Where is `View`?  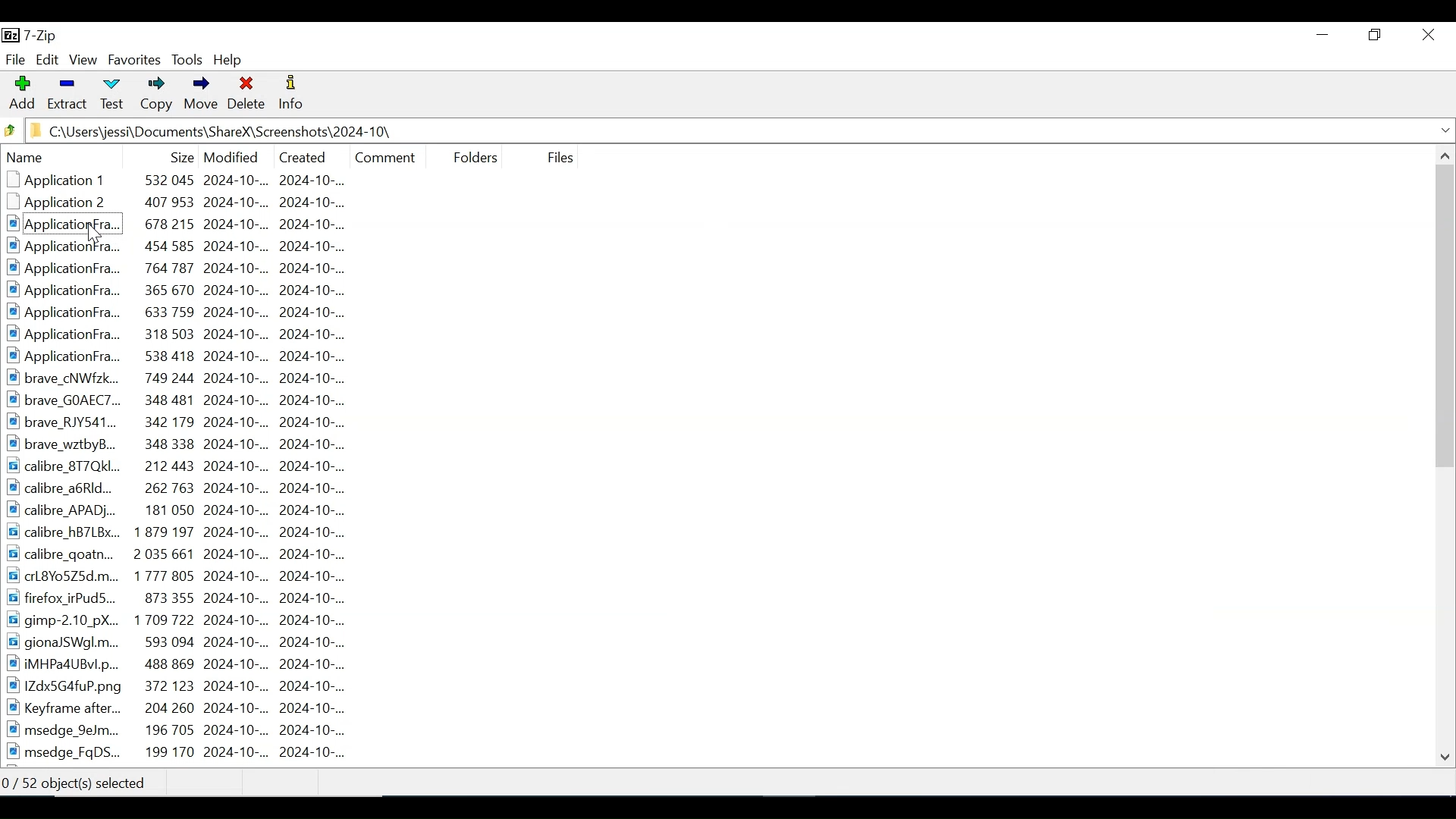 View is located at coordinates (84, 61).